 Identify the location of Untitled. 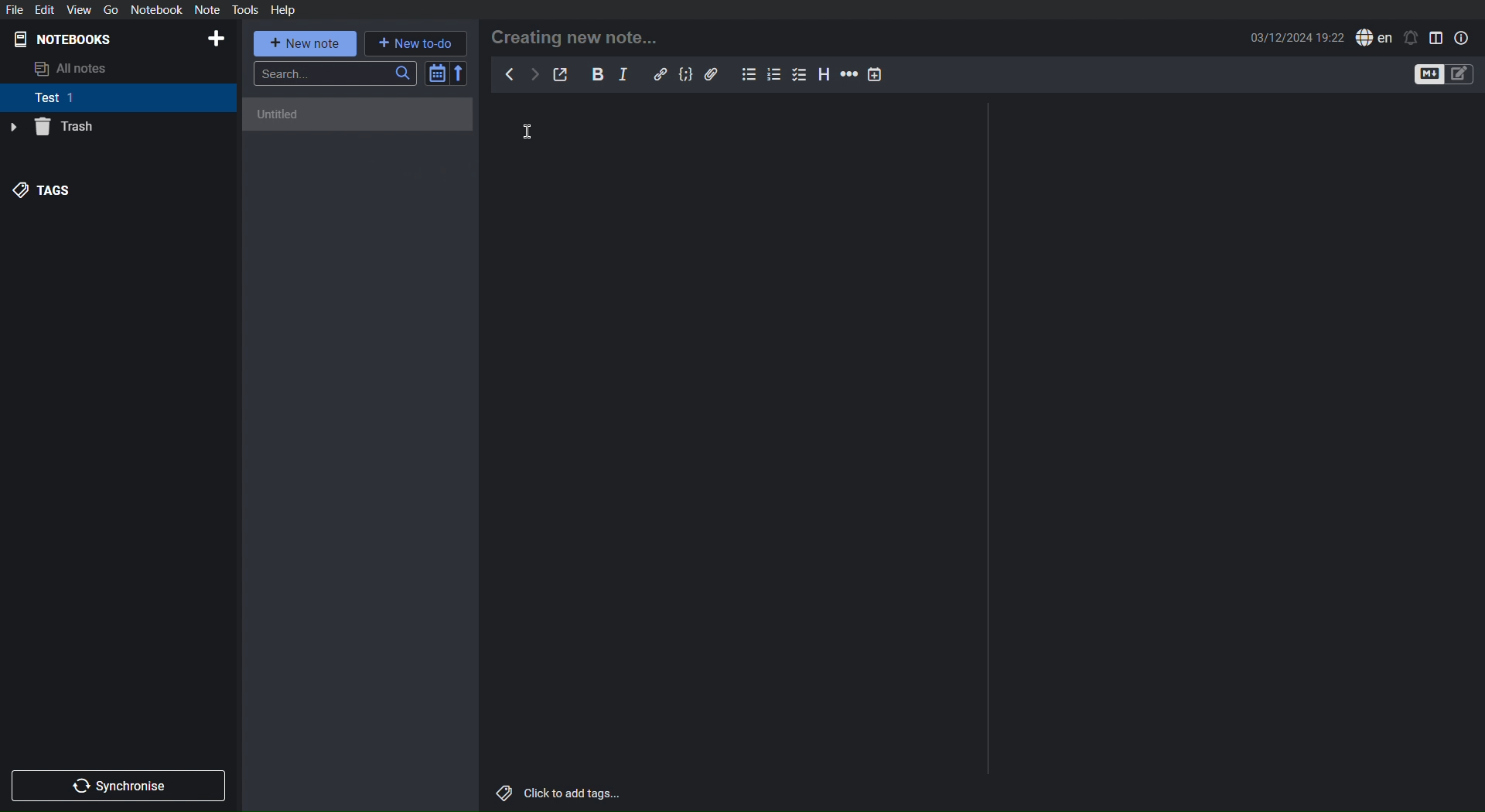
(357, 112).